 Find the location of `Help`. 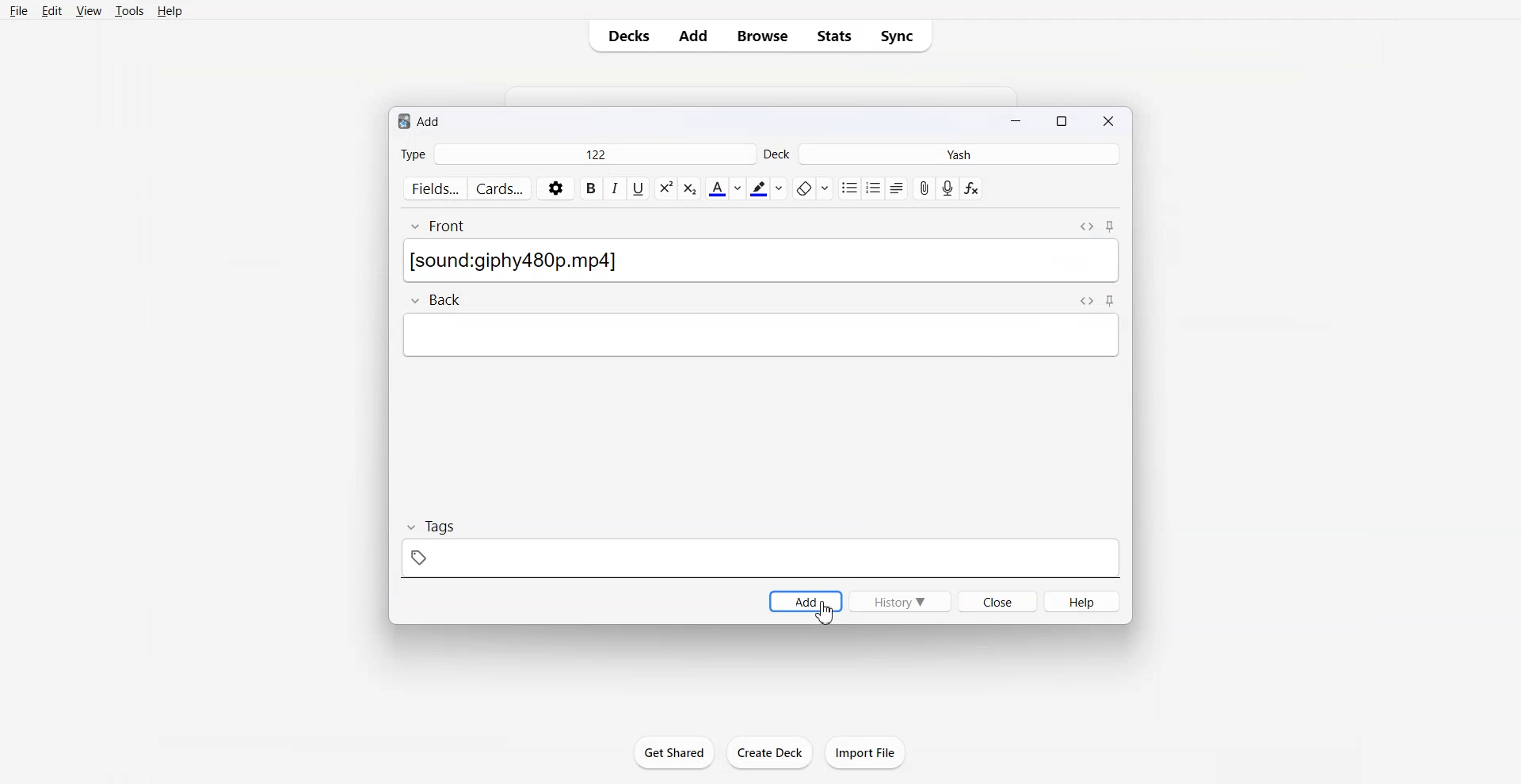

Help is located at coordinates (169, 12).